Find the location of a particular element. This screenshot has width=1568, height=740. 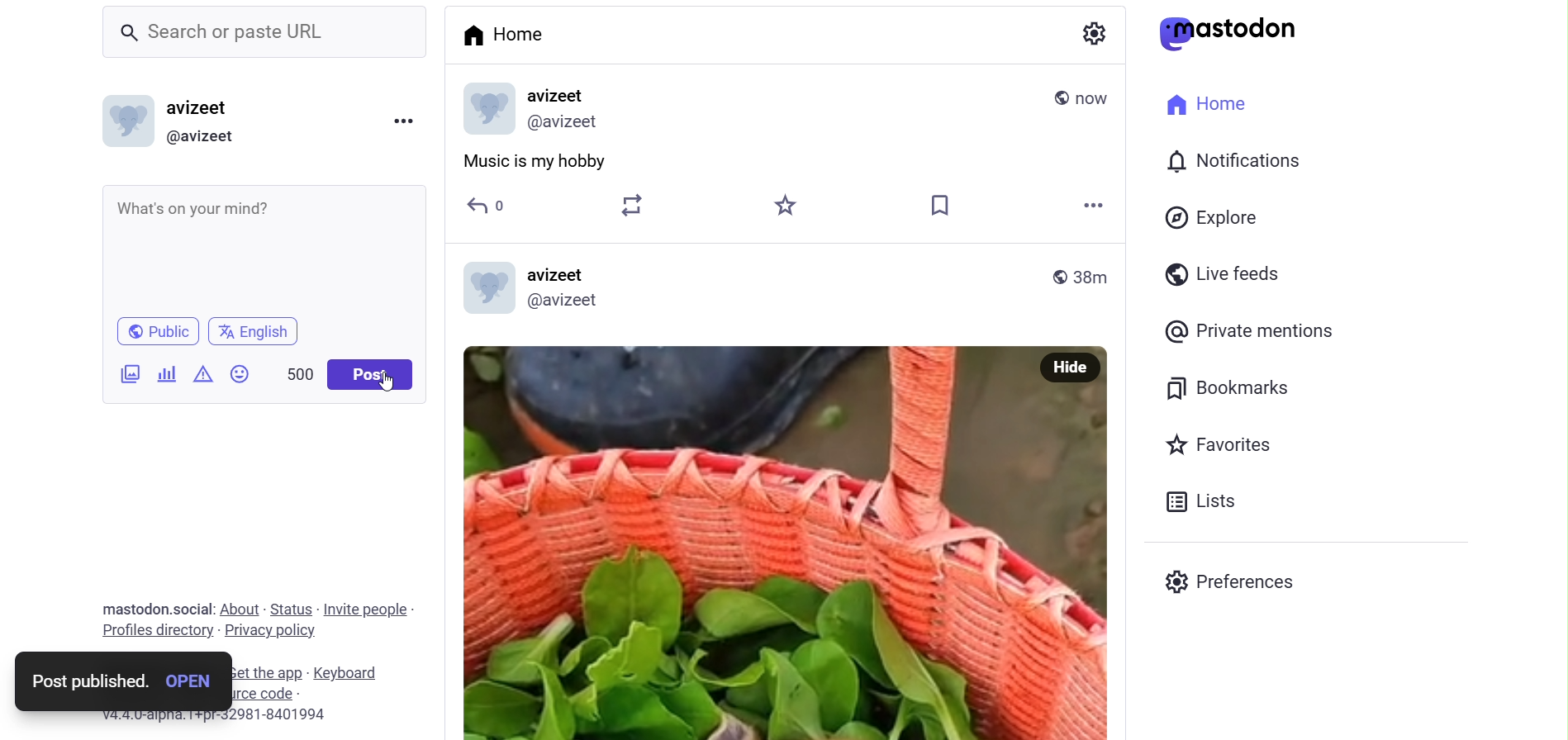

Lists is located at coordinates (1205, 501).